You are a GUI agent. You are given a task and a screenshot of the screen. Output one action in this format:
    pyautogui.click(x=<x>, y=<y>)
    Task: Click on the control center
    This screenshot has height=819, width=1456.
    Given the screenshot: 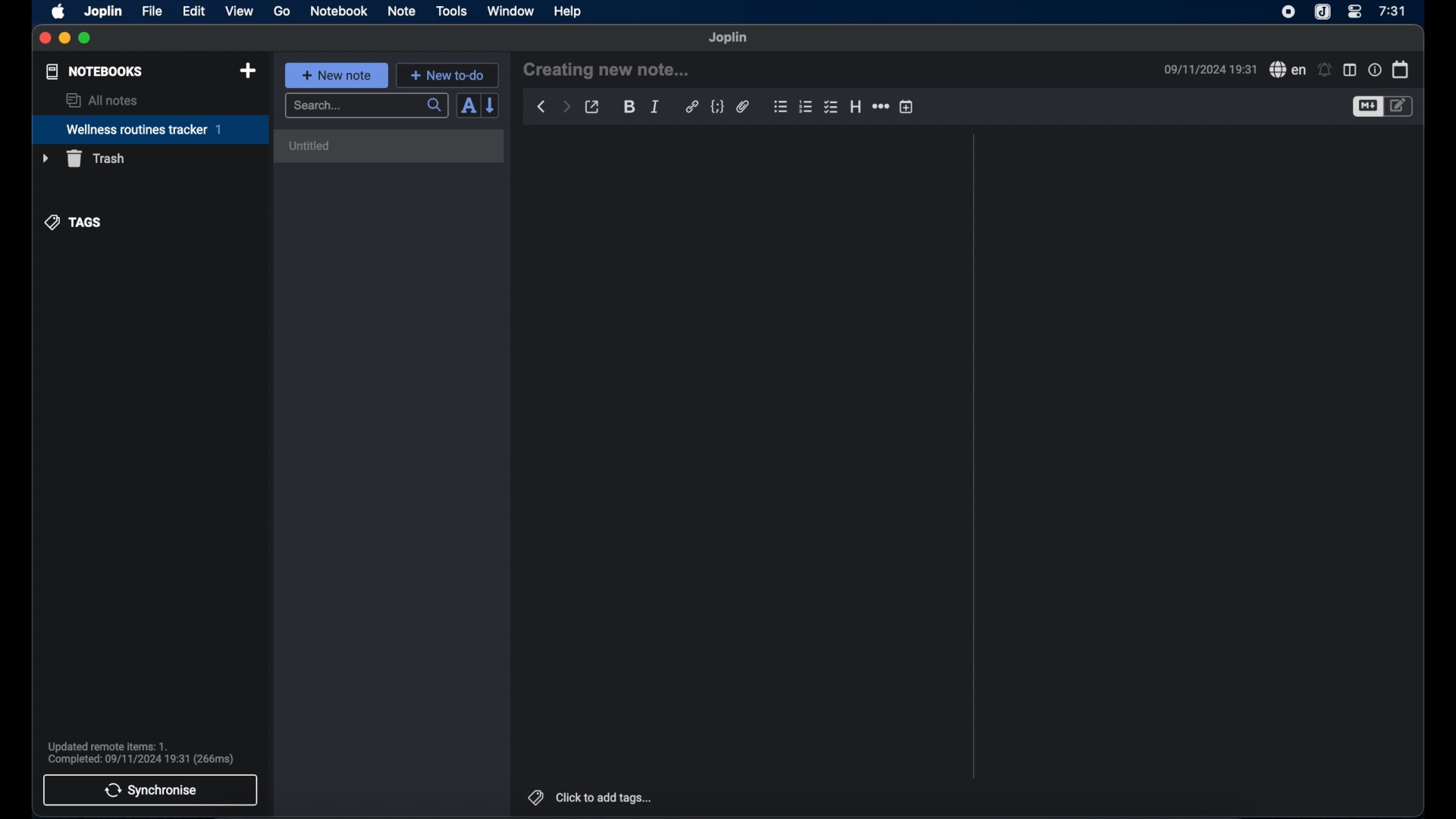 What is the action you would take?
    pyautogui.click(x=1355, y=12)
    